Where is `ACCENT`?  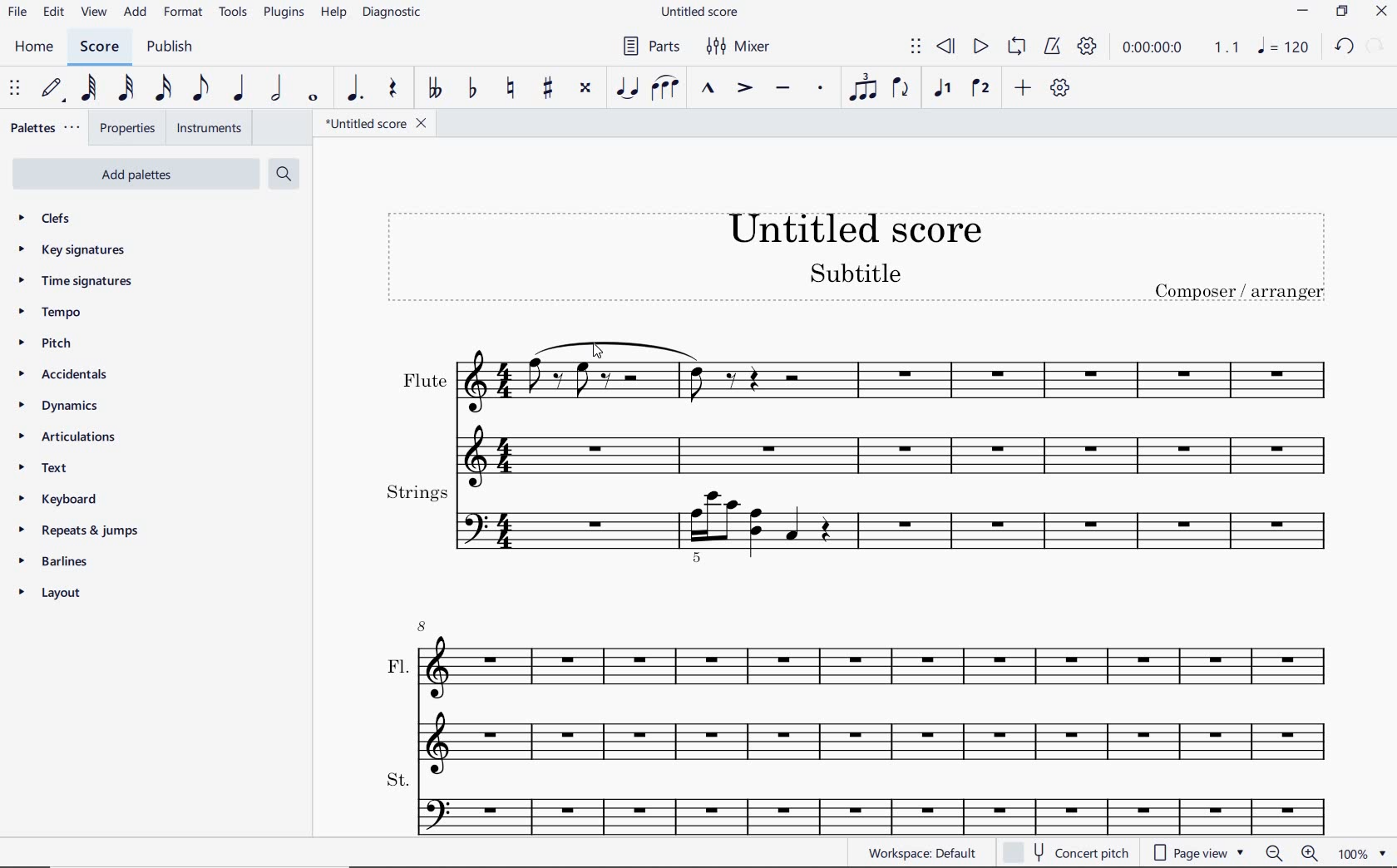
ACCENT is located at coordinates (741, 90).